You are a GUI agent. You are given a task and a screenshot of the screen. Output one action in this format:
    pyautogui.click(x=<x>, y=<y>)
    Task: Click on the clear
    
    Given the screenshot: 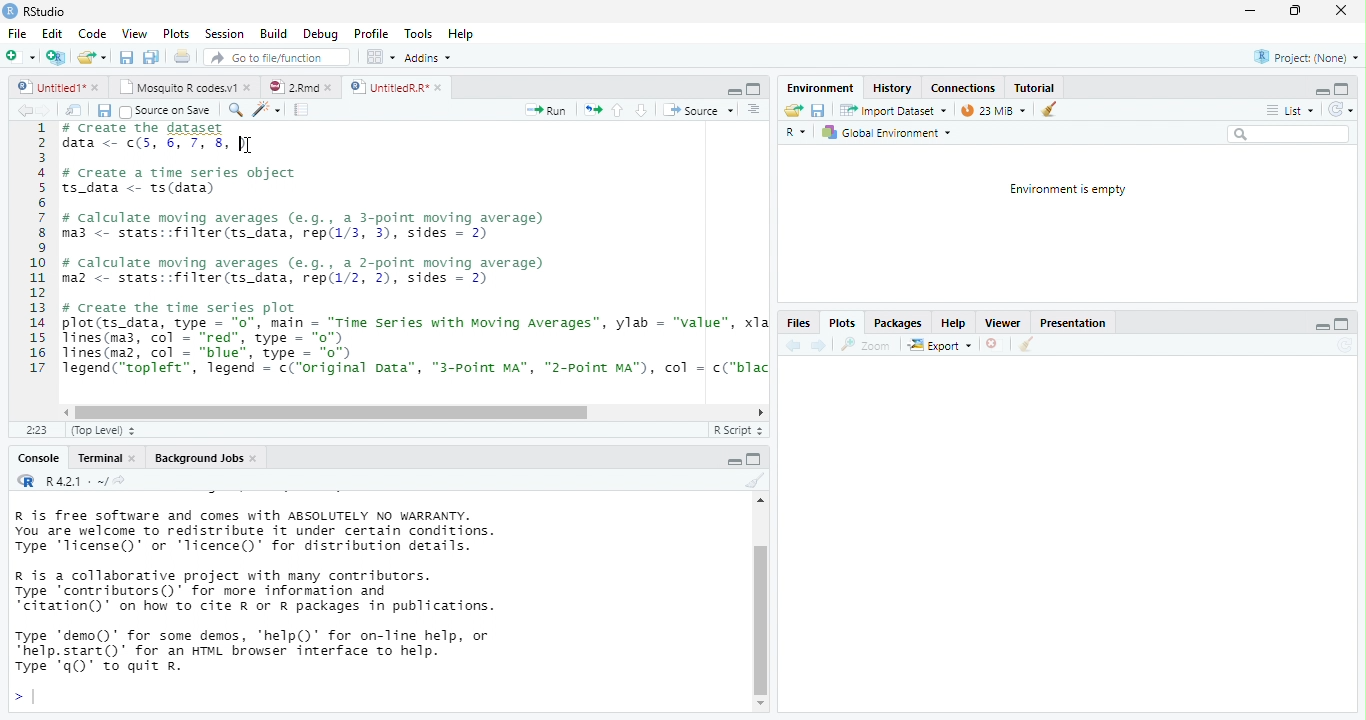 What is the action you would take?
    pyautogui.click(x=753, y=481)
    